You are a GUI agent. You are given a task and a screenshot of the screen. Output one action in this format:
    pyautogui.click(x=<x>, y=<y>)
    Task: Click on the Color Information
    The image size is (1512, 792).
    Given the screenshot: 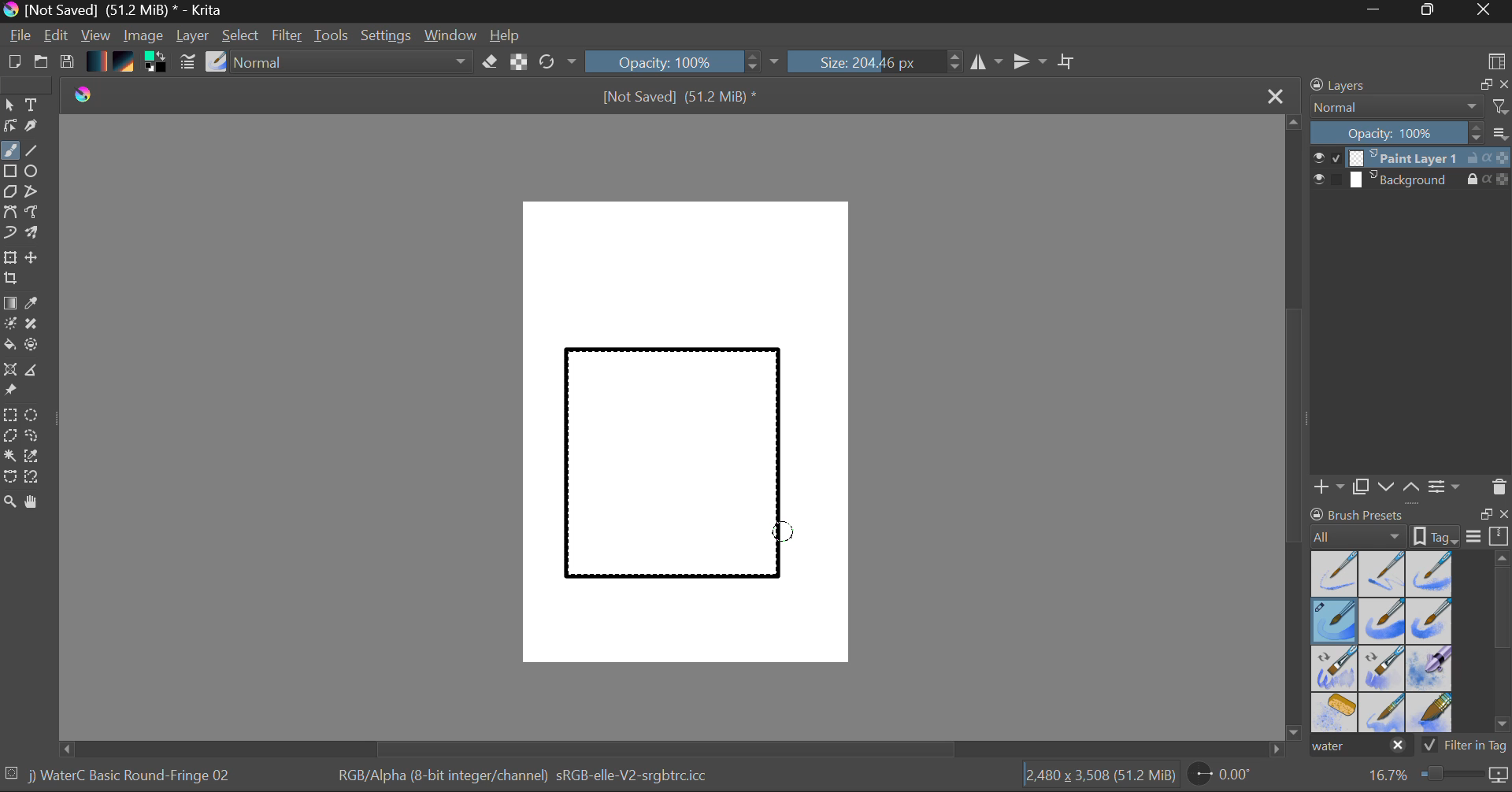 What is the action you would take?
    pyautogui.click(x=521, y=777)
    